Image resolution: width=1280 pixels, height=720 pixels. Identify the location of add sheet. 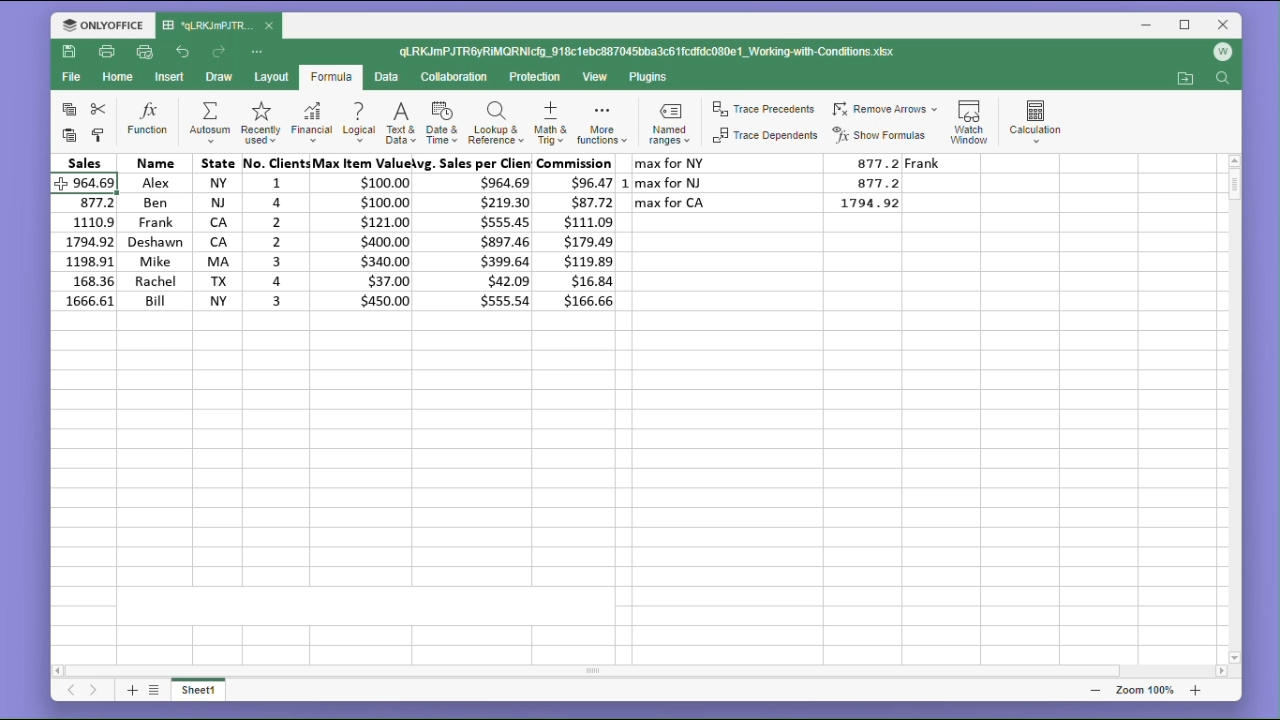
(130, 690).